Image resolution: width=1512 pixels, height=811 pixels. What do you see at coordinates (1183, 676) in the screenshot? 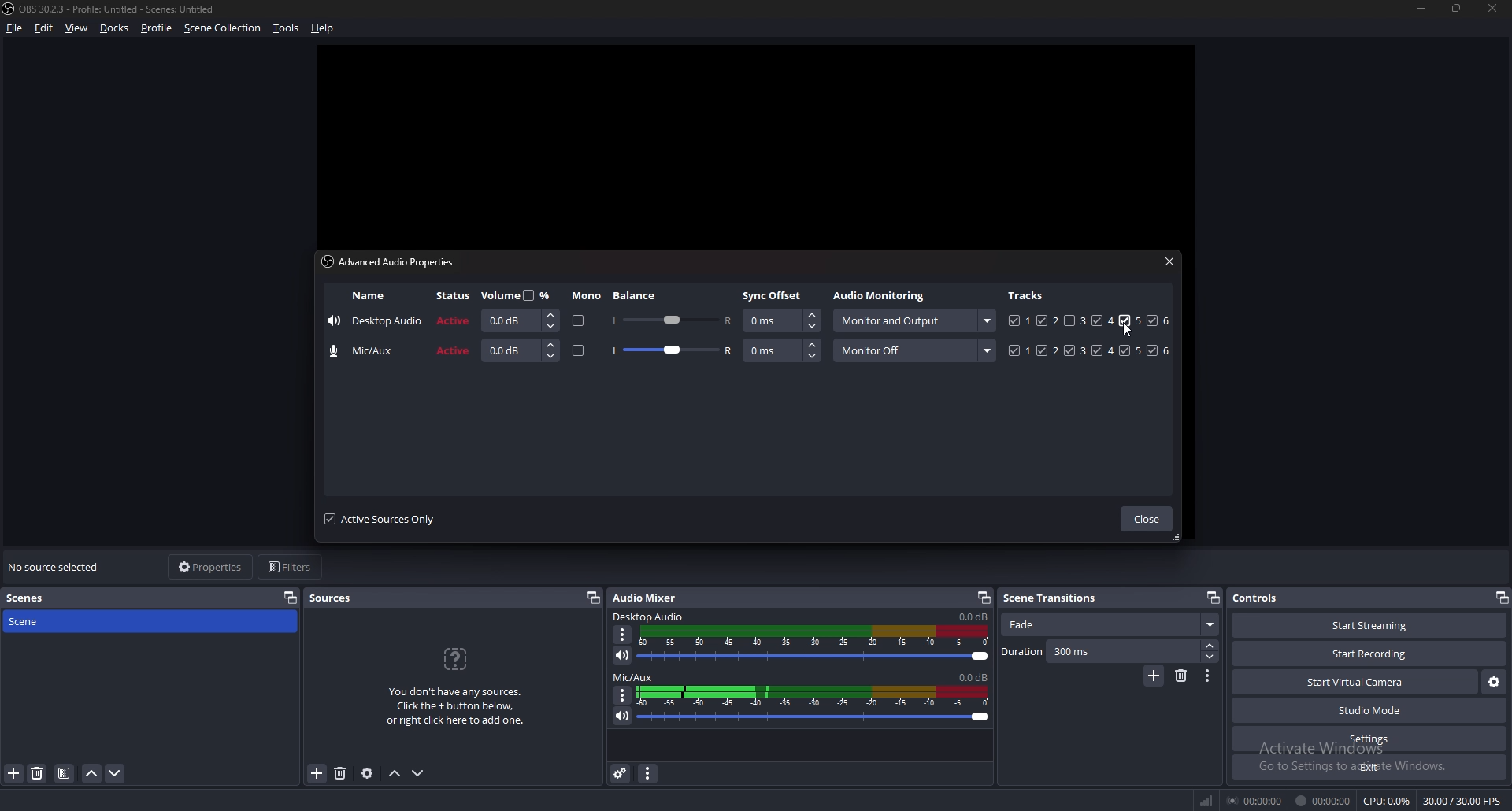
I see `delete scene` at bounding box center [1183, 676].